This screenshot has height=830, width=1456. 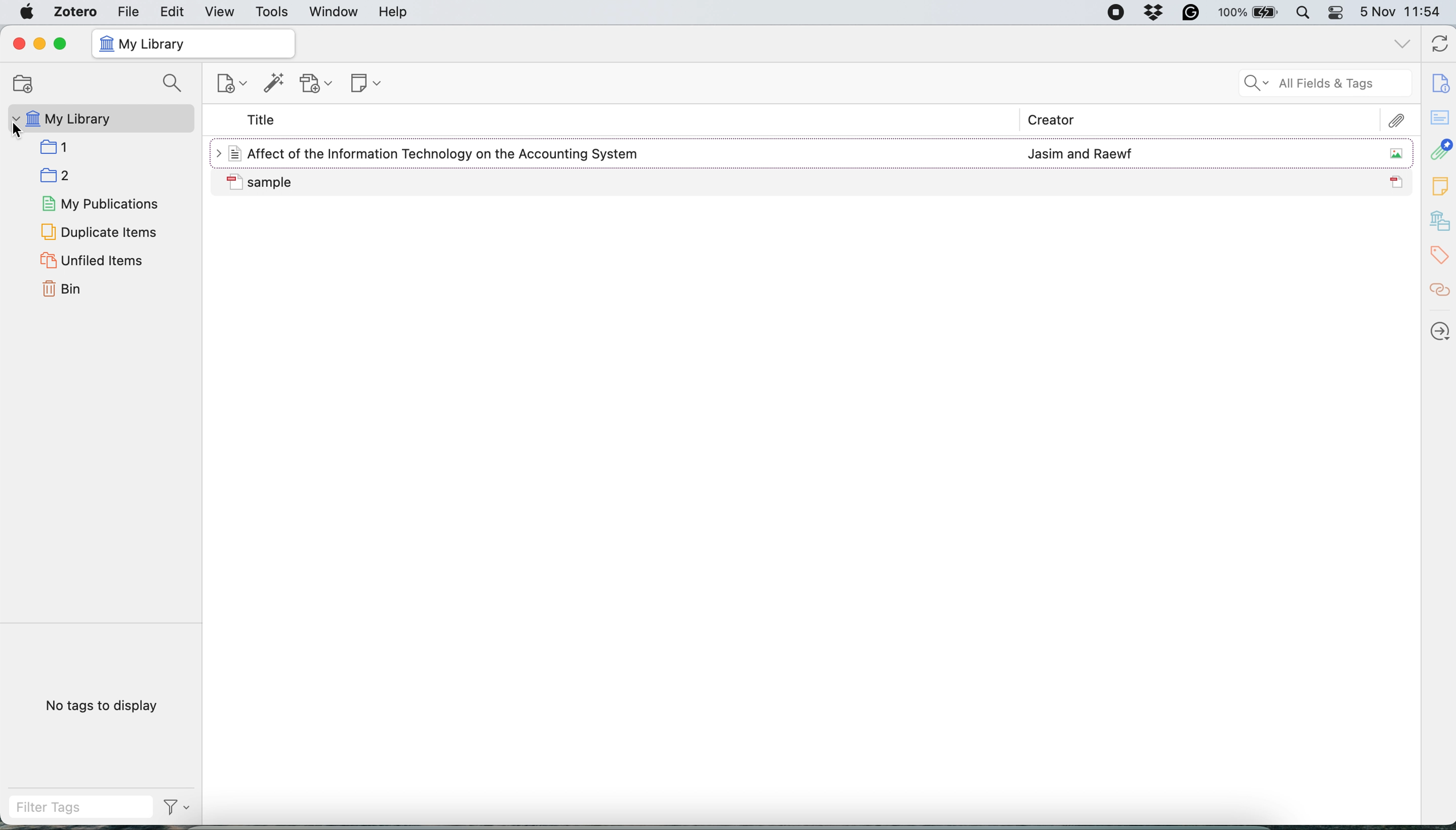 What do you see at coordinates (96, 233) in the screenshot?
I see `duplicate items` at bounding box center [96, 233].